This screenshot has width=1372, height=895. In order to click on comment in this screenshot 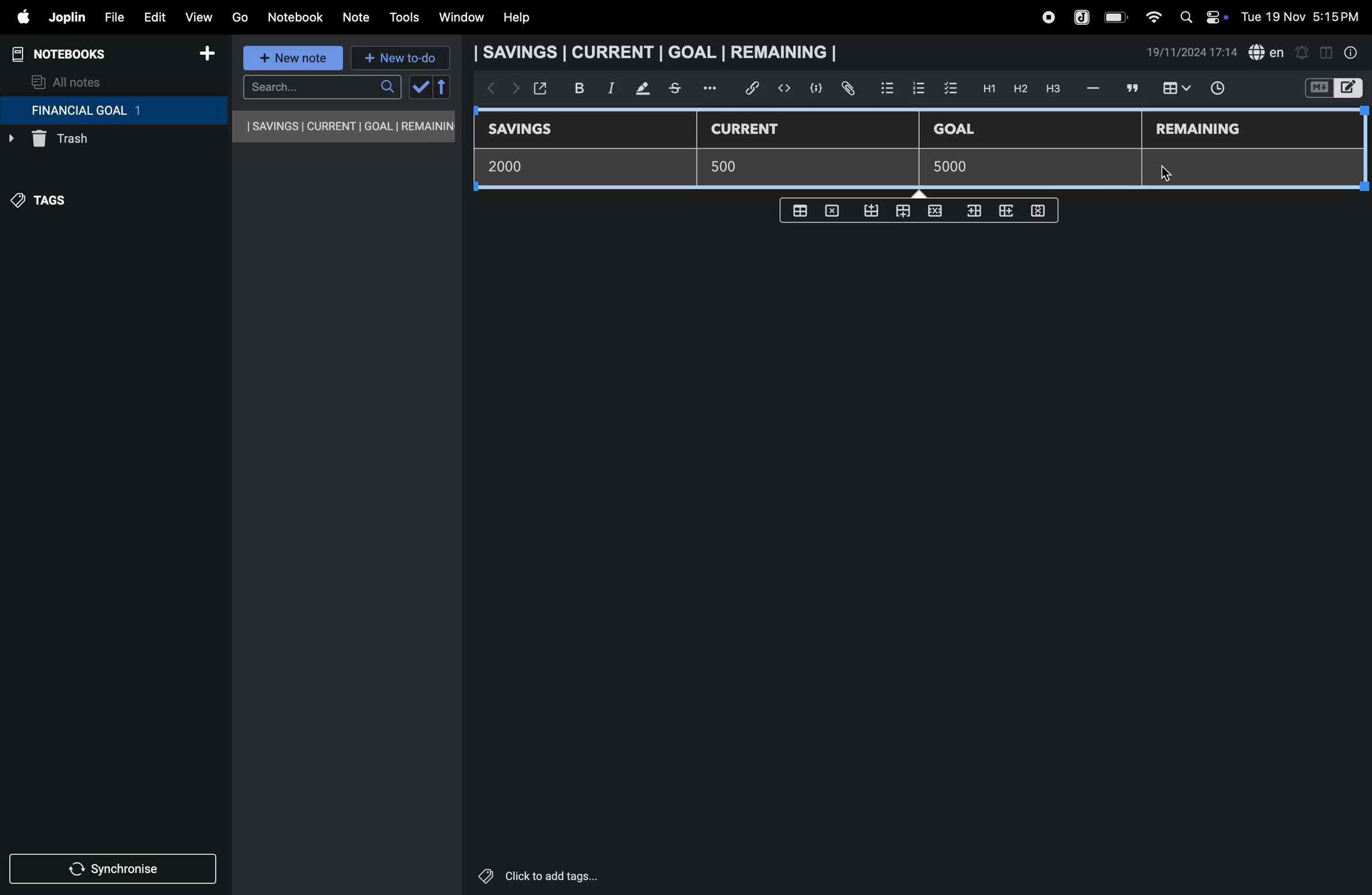, I will do `click(1130, 88)`.